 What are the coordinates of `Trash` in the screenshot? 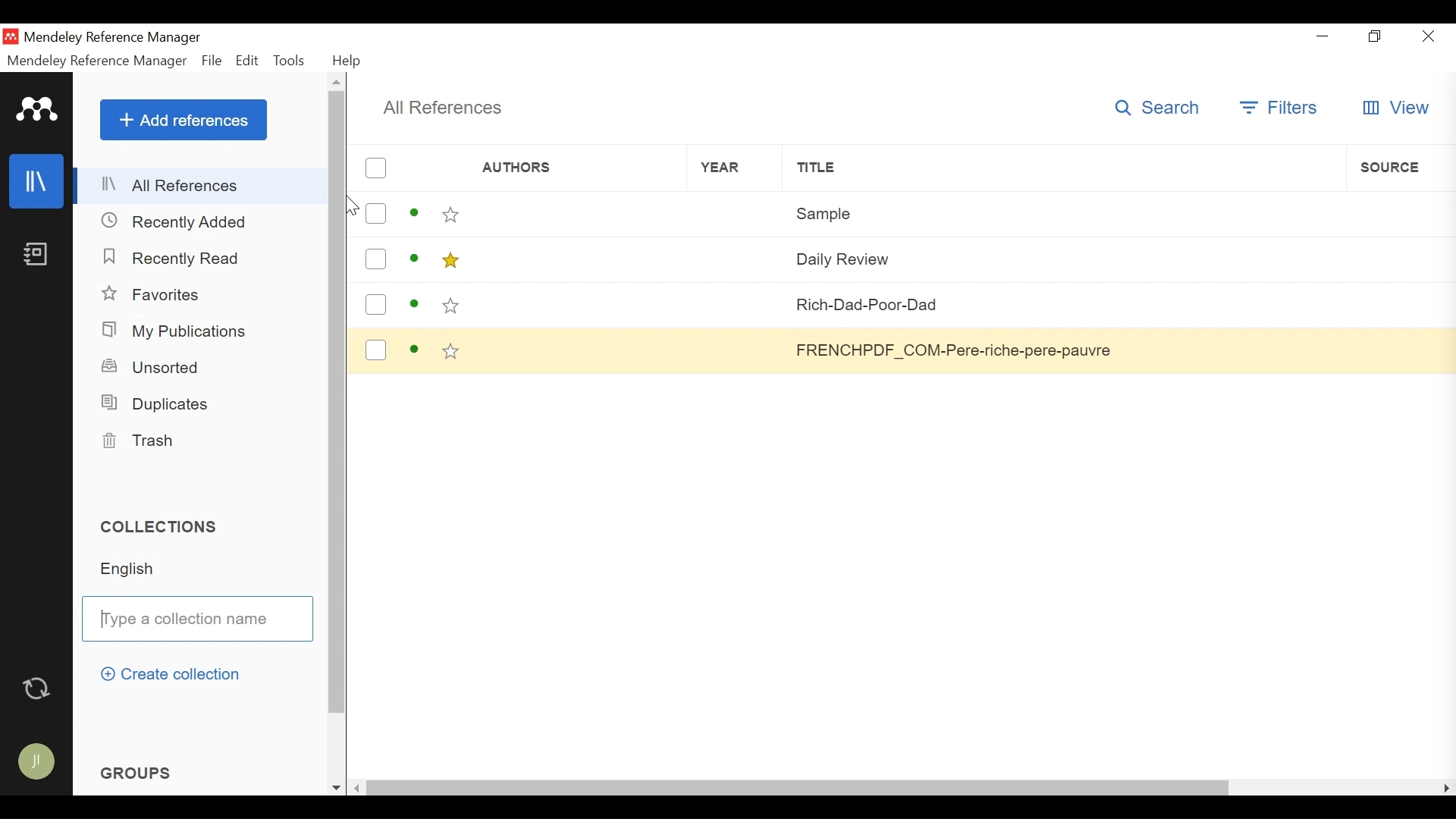 It's located at (143, 441).